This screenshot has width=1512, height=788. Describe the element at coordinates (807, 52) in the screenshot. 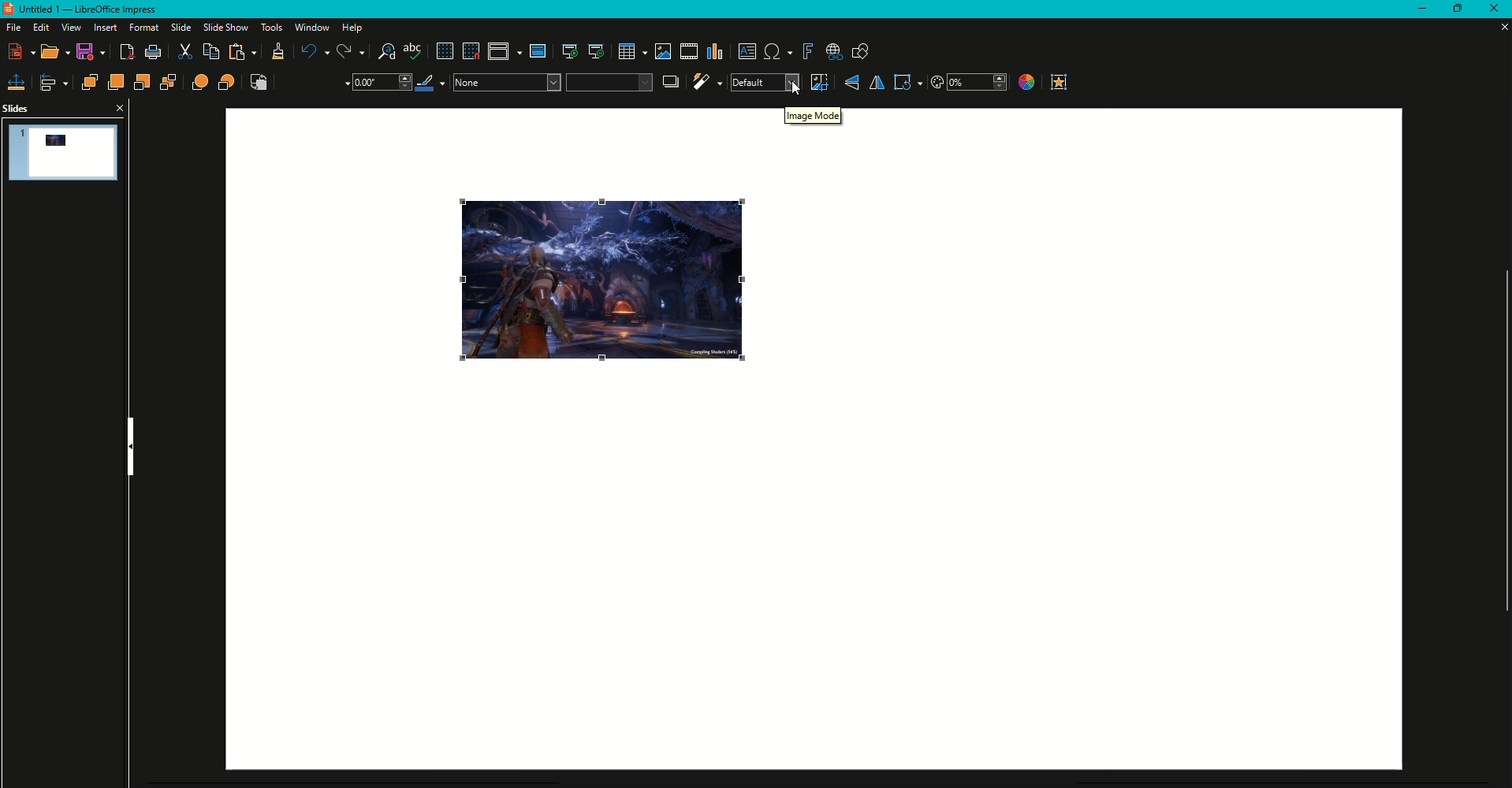

I see `Fontwork` at that location.